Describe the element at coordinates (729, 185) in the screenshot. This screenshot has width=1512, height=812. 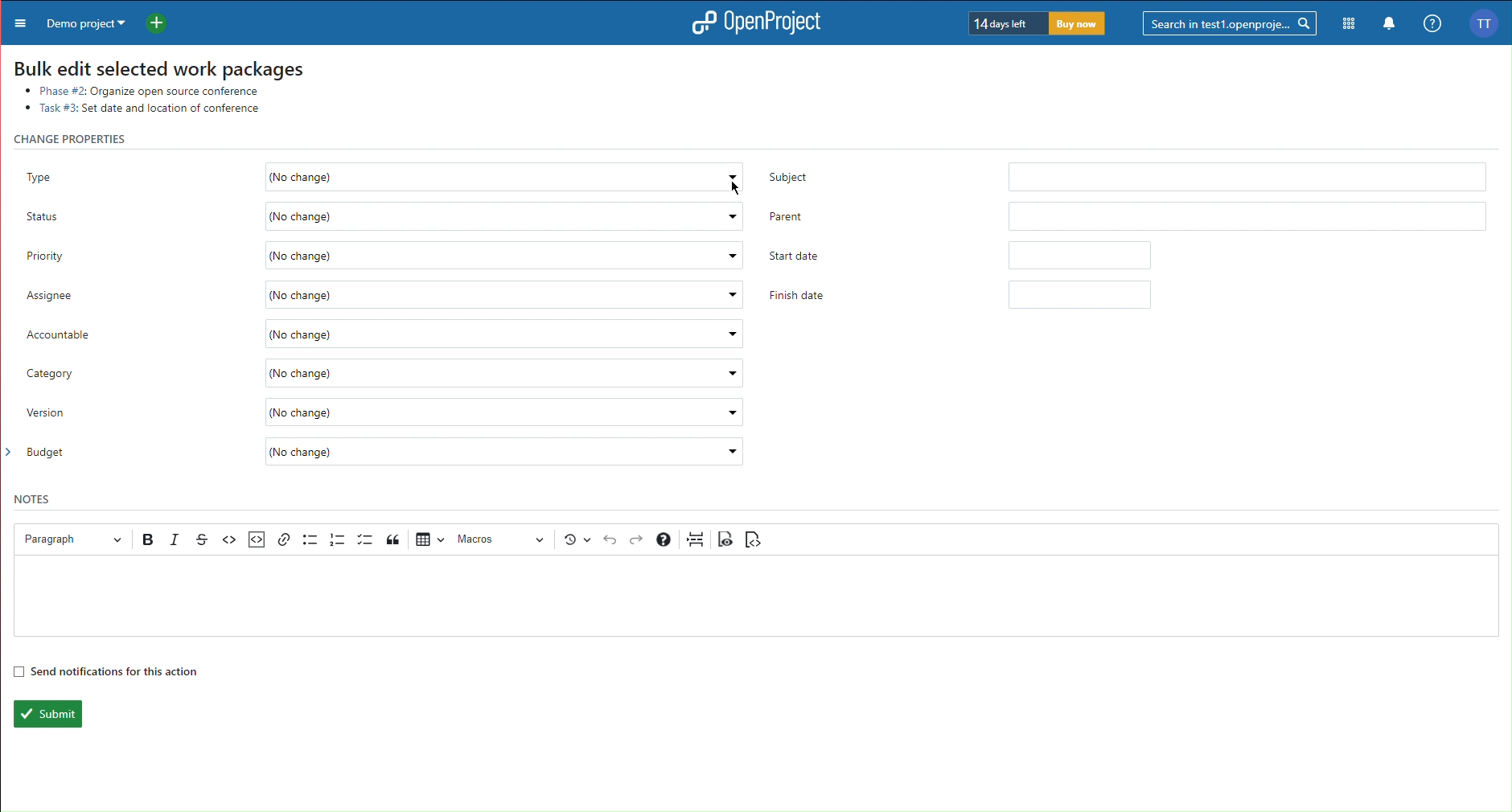
I see `cursor` at that location.